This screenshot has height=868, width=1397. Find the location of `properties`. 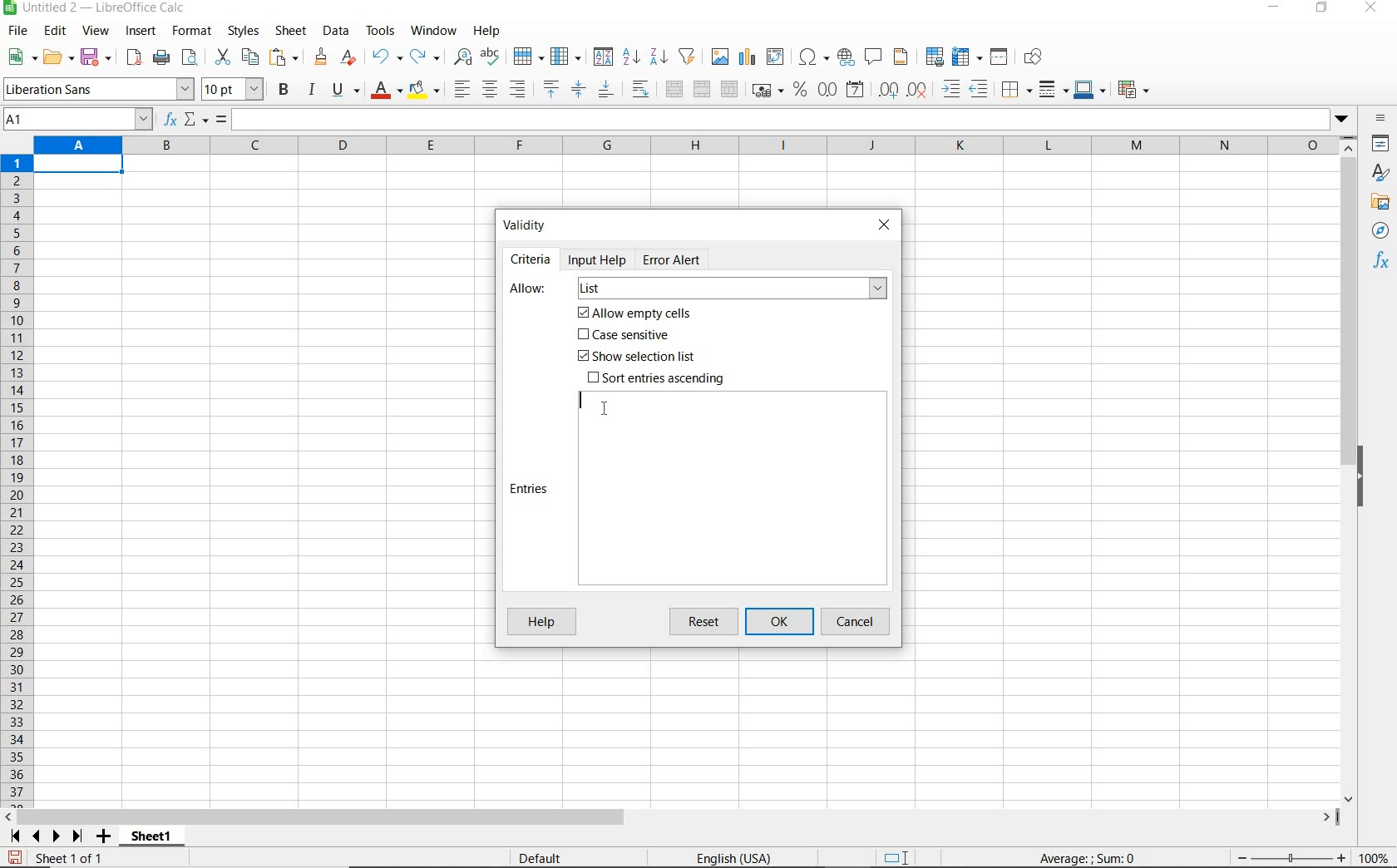

properties is located at coordinates (1382, 145).